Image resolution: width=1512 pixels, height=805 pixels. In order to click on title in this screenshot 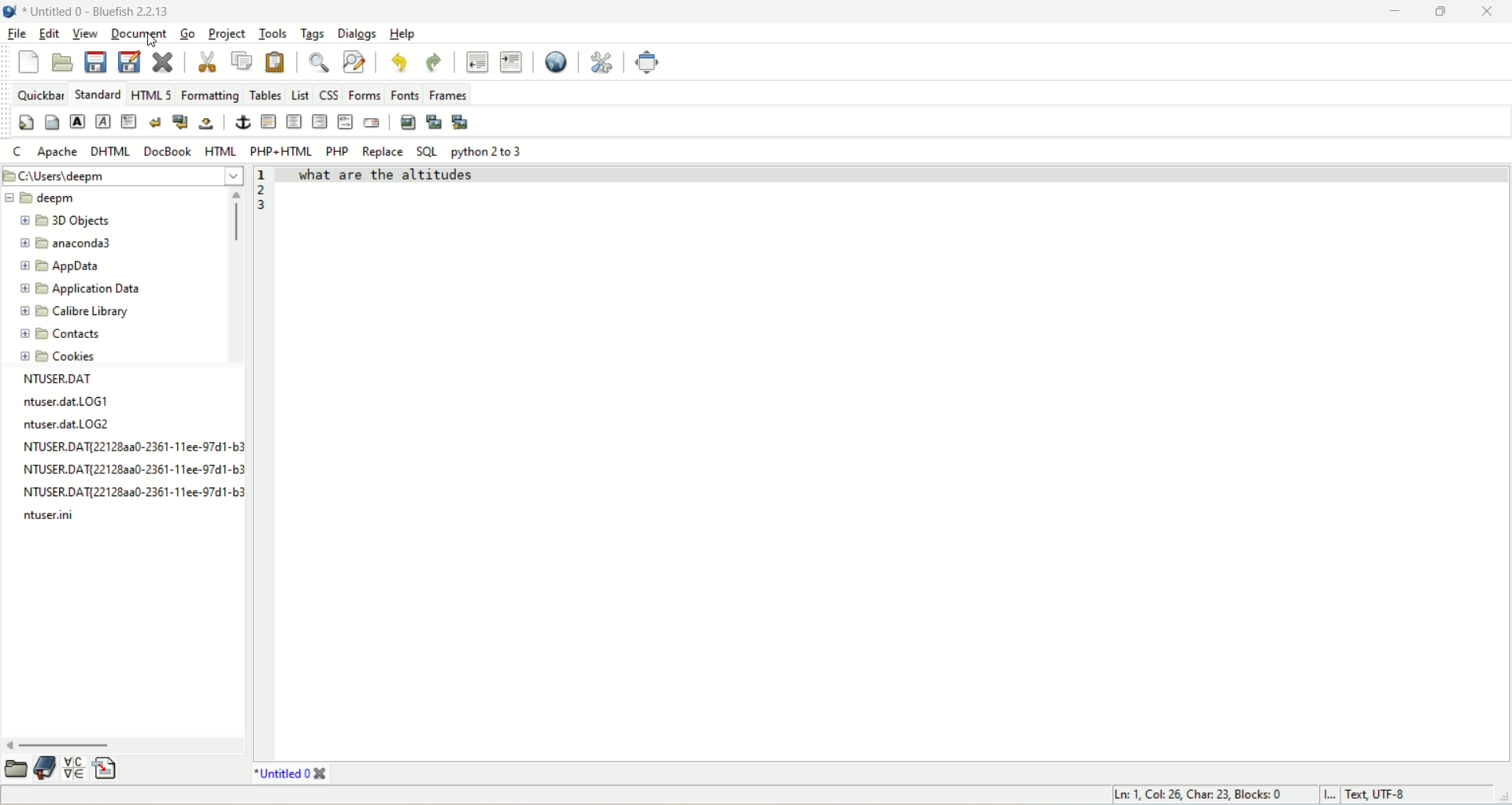, I will do `click(289, 775)`.